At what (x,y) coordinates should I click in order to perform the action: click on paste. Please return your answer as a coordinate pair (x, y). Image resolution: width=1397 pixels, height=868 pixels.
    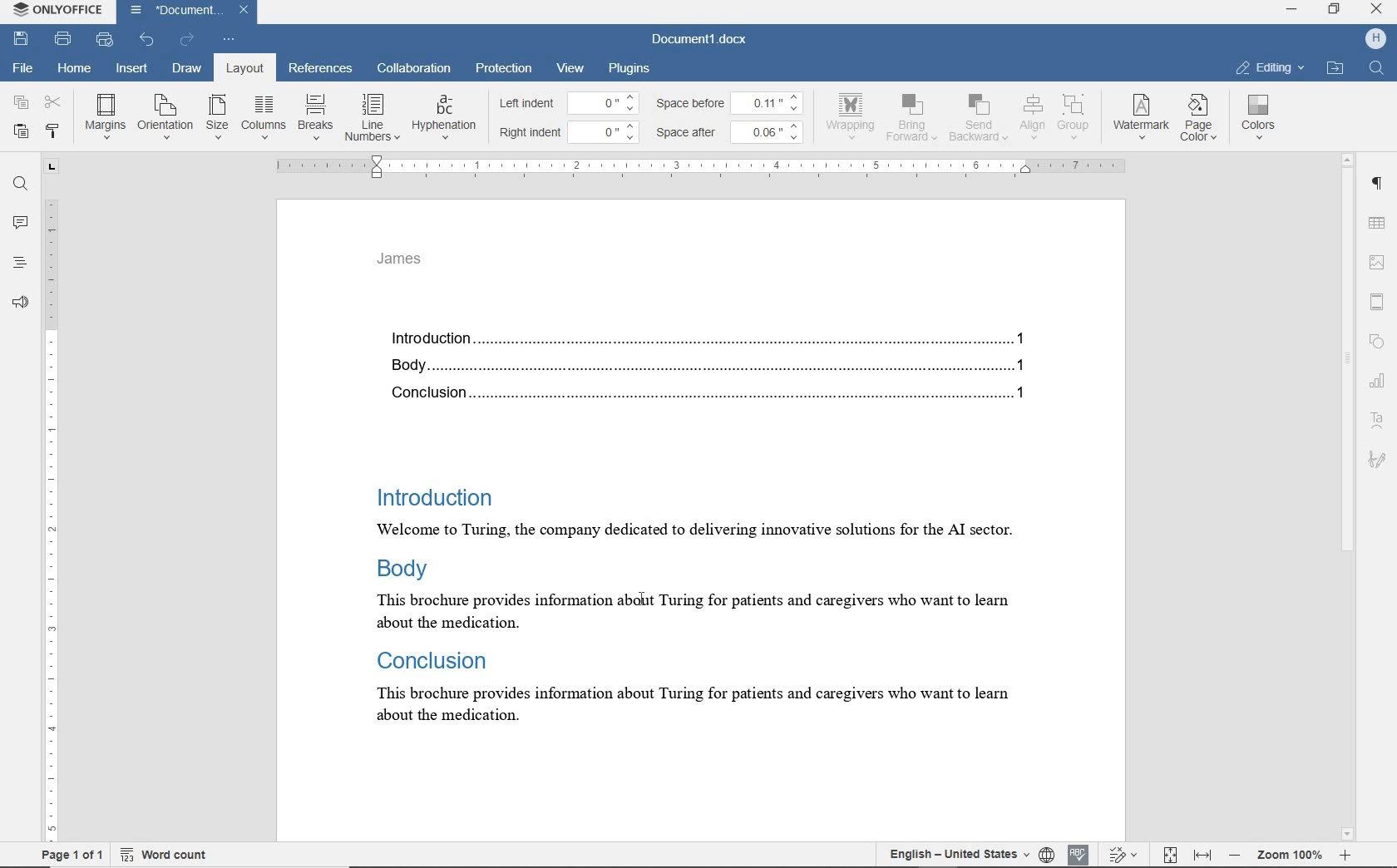
    Looking at the image, I should click on (21, 131).